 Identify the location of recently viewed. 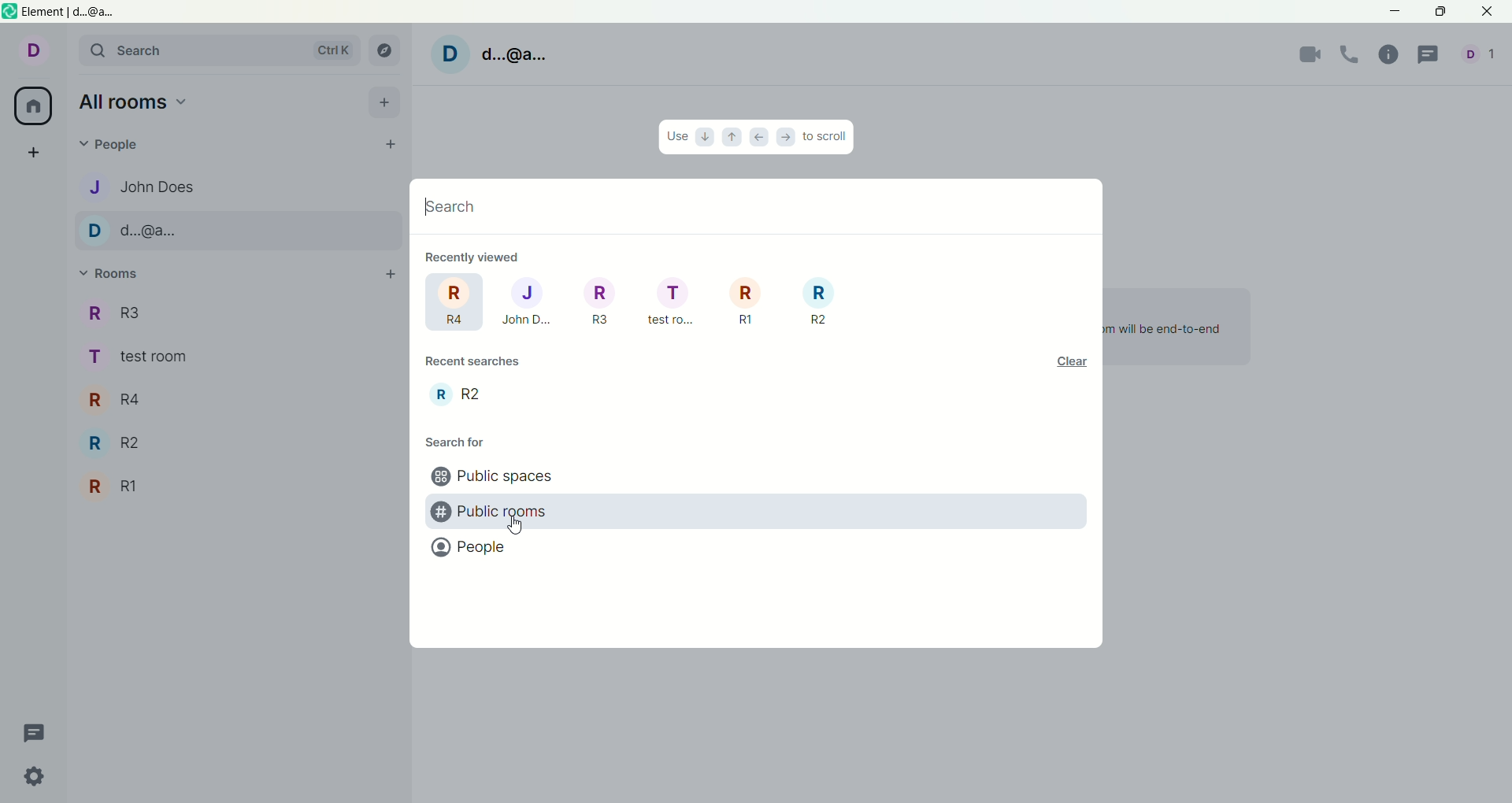
(476, 258).